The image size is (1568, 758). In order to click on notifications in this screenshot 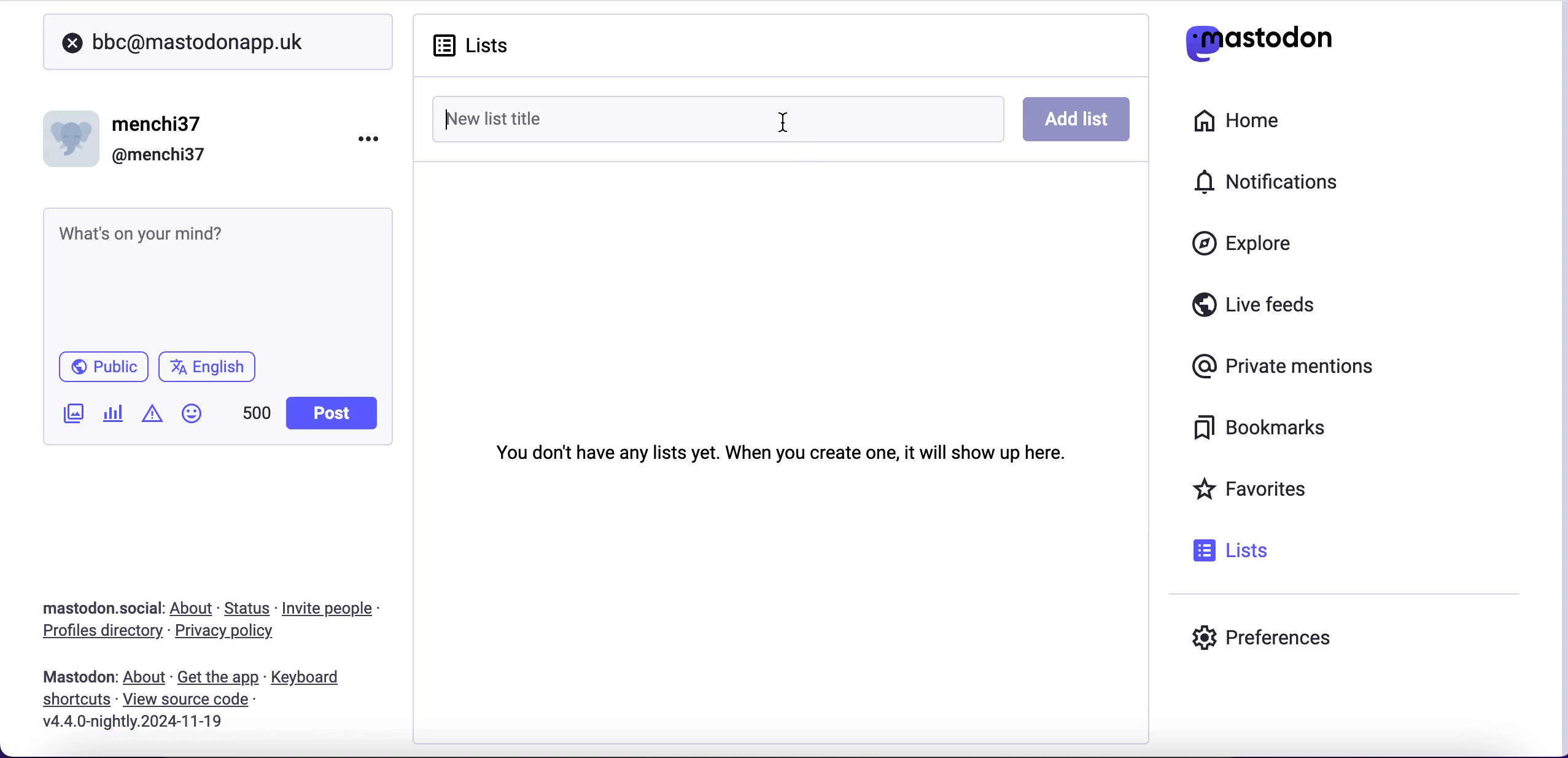, I will do `click(1259, 180)`.